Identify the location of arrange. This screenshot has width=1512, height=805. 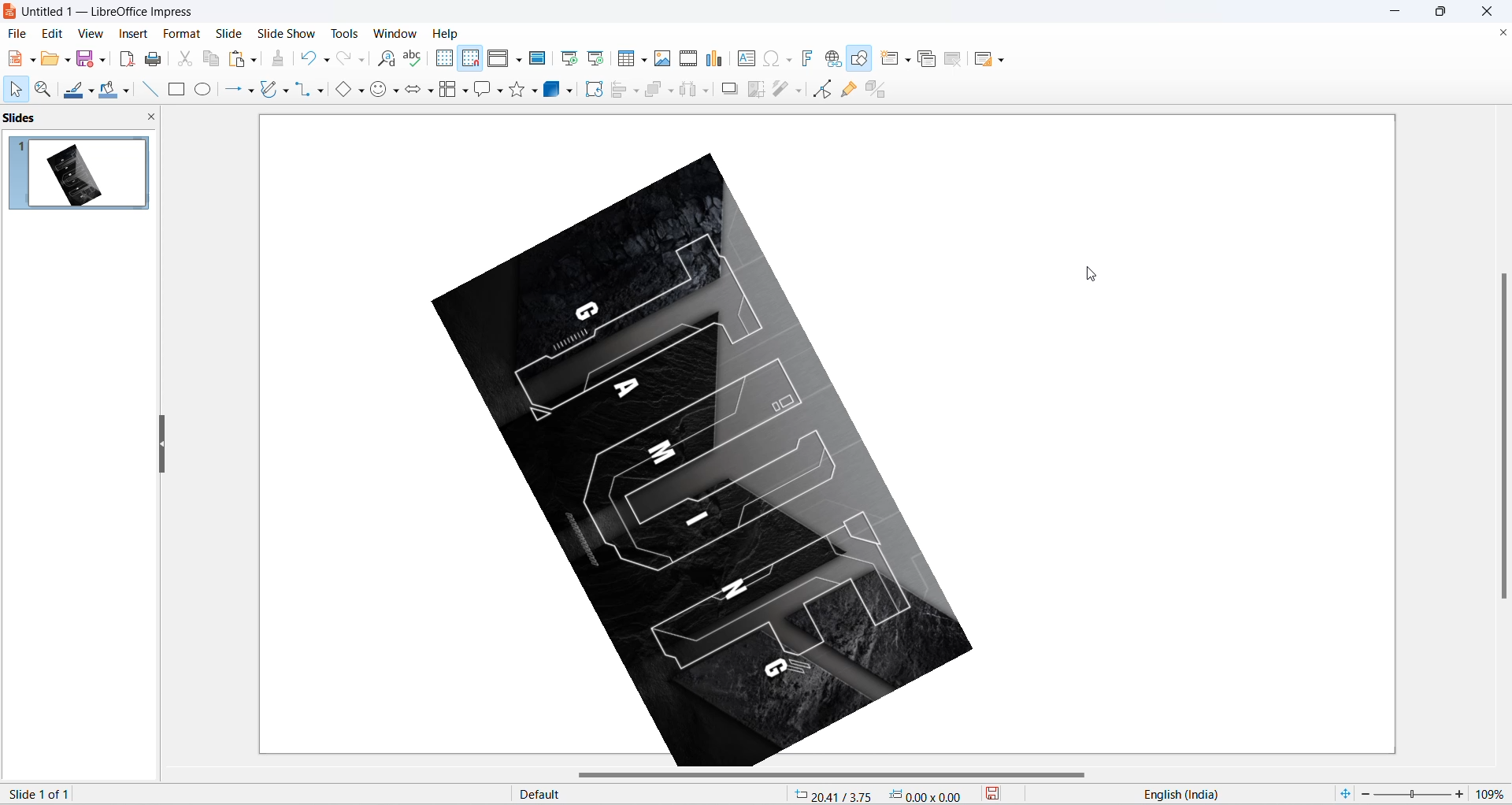
(658, 88).